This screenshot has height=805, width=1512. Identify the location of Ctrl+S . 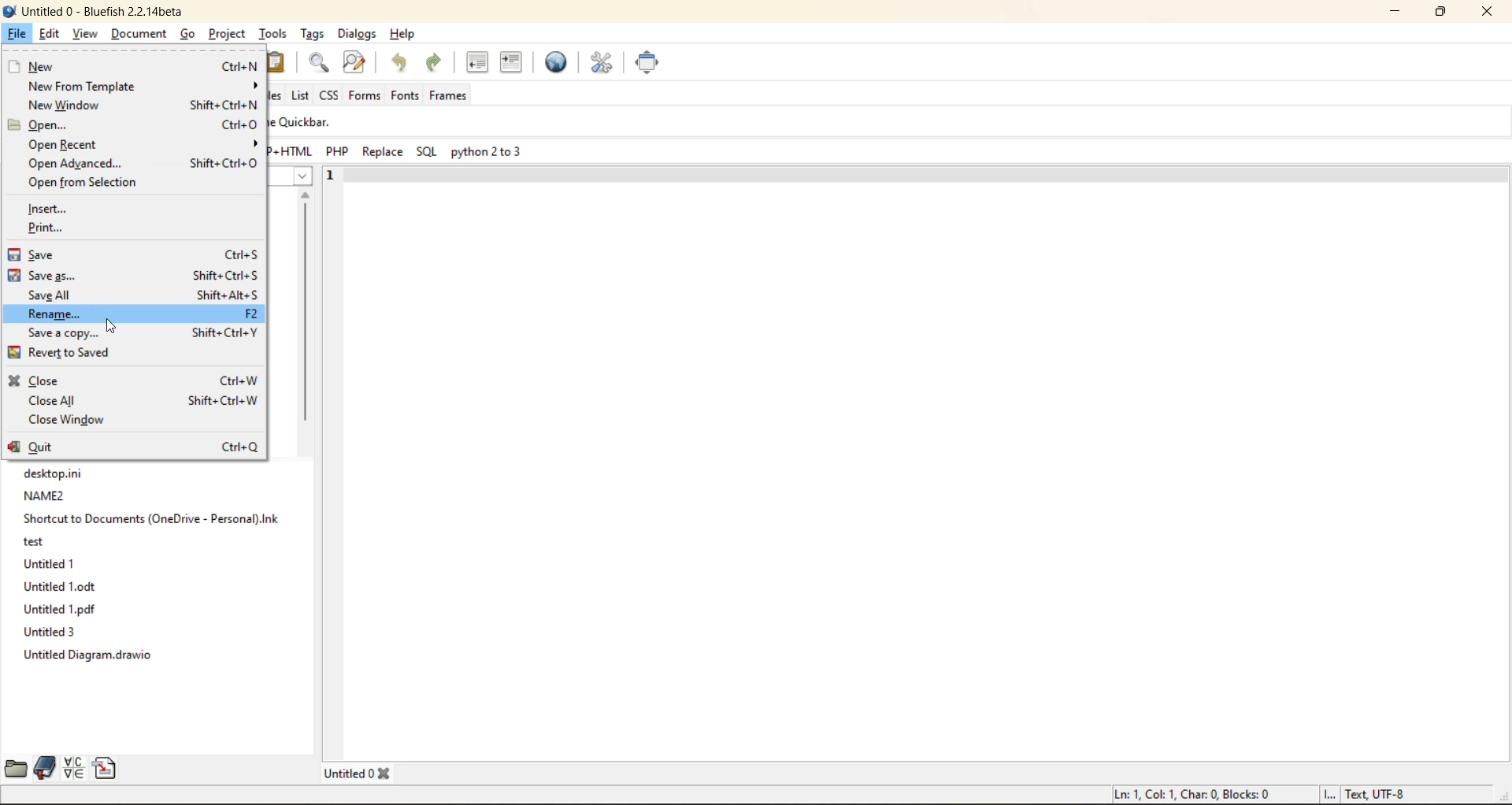
(247, 254).